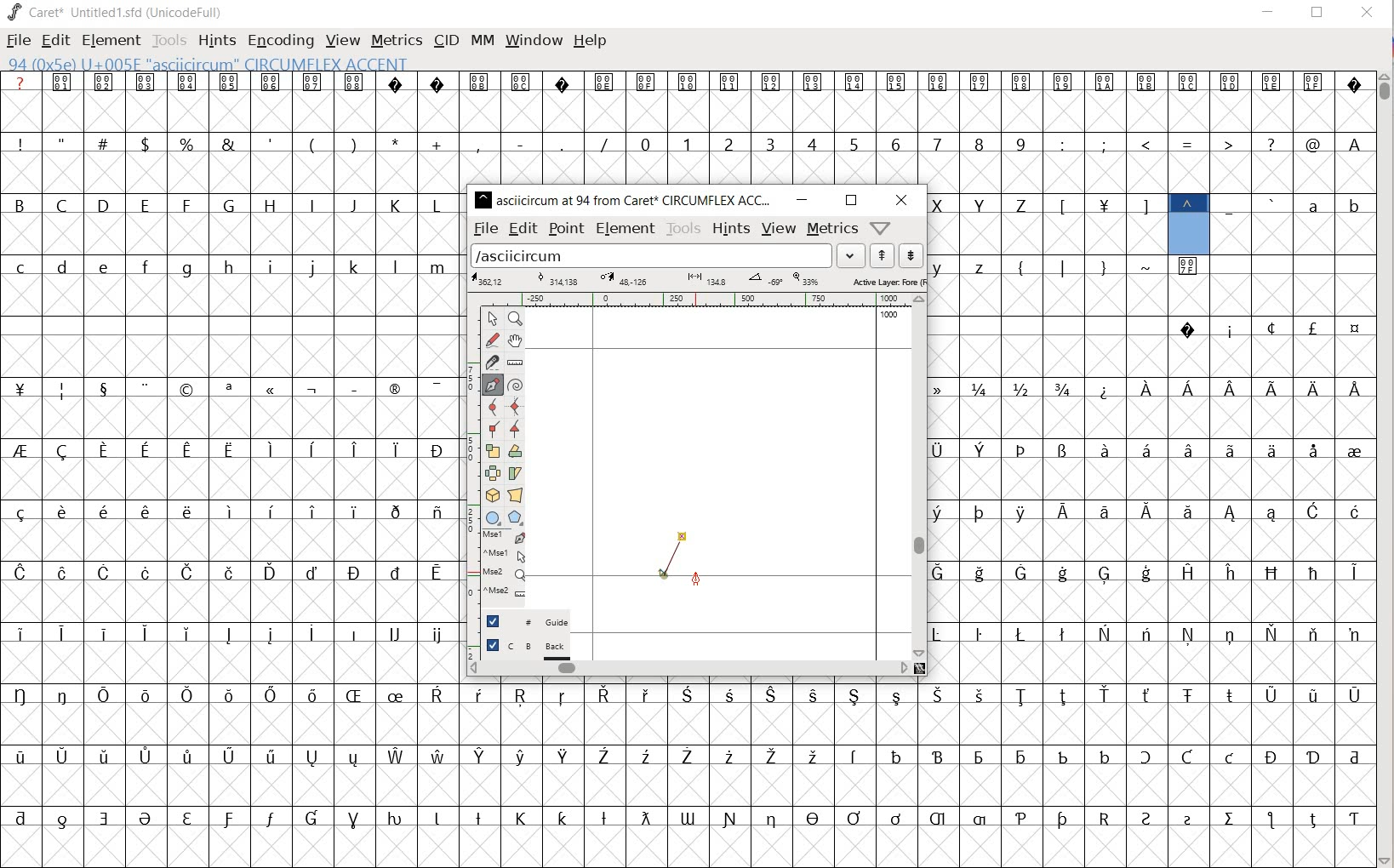 This screenshot has height=868, width=1394. Describe the element at coordinates (566, 227) in the screenshot. I see `point` at that location.